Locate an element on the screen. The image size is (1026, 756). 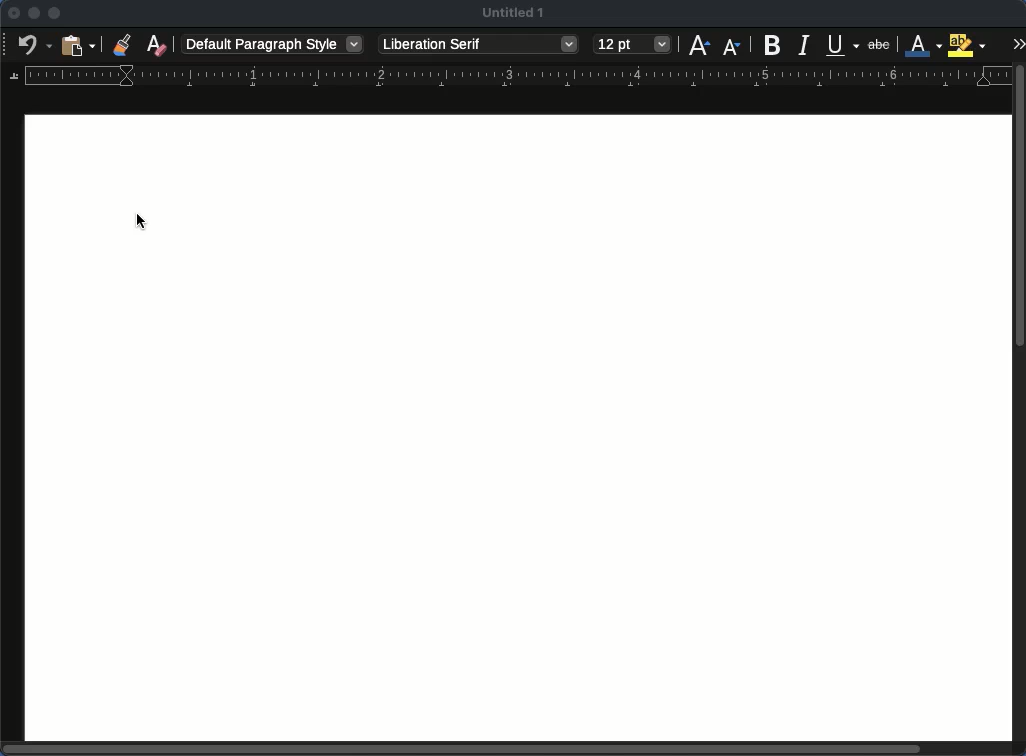
maximize is located at coordinates (55, 13).